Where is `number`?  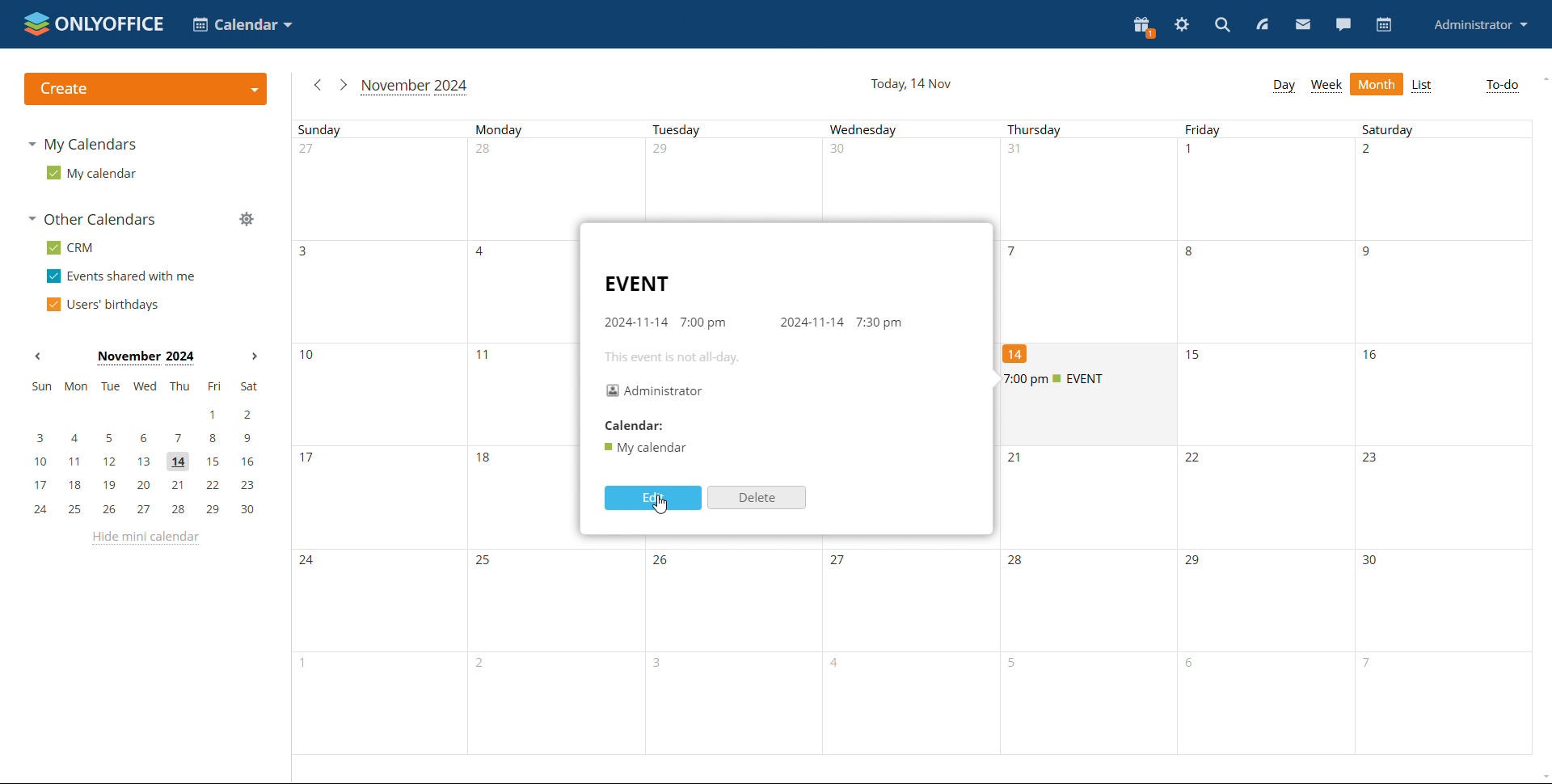
number is located at coordinates (306, 251).